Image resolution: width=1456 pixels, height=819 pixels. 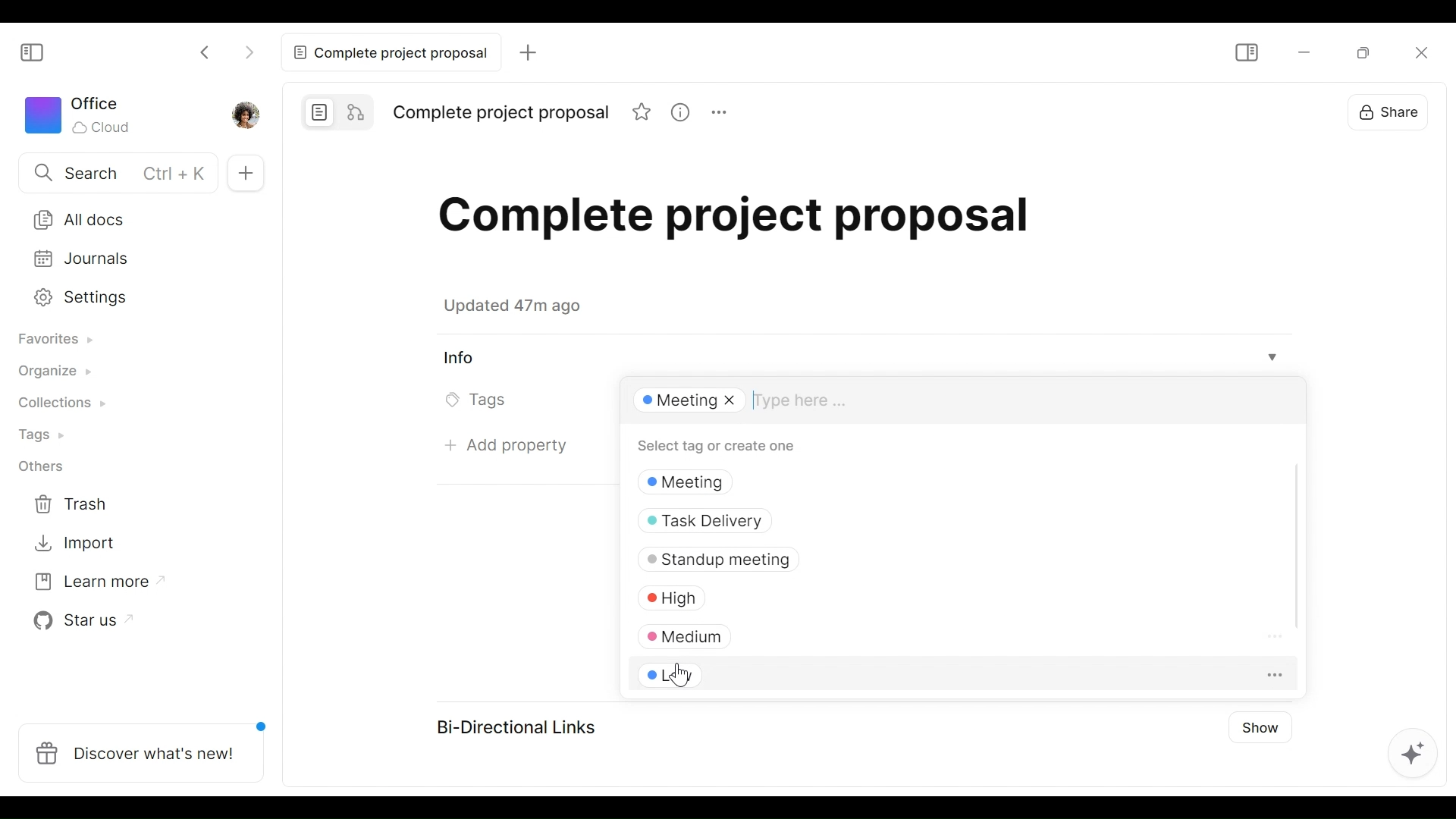 What do you see at coordinates (244, 115) in the screenshot?
I see `Profile photo` at bounding box center [244, 115].